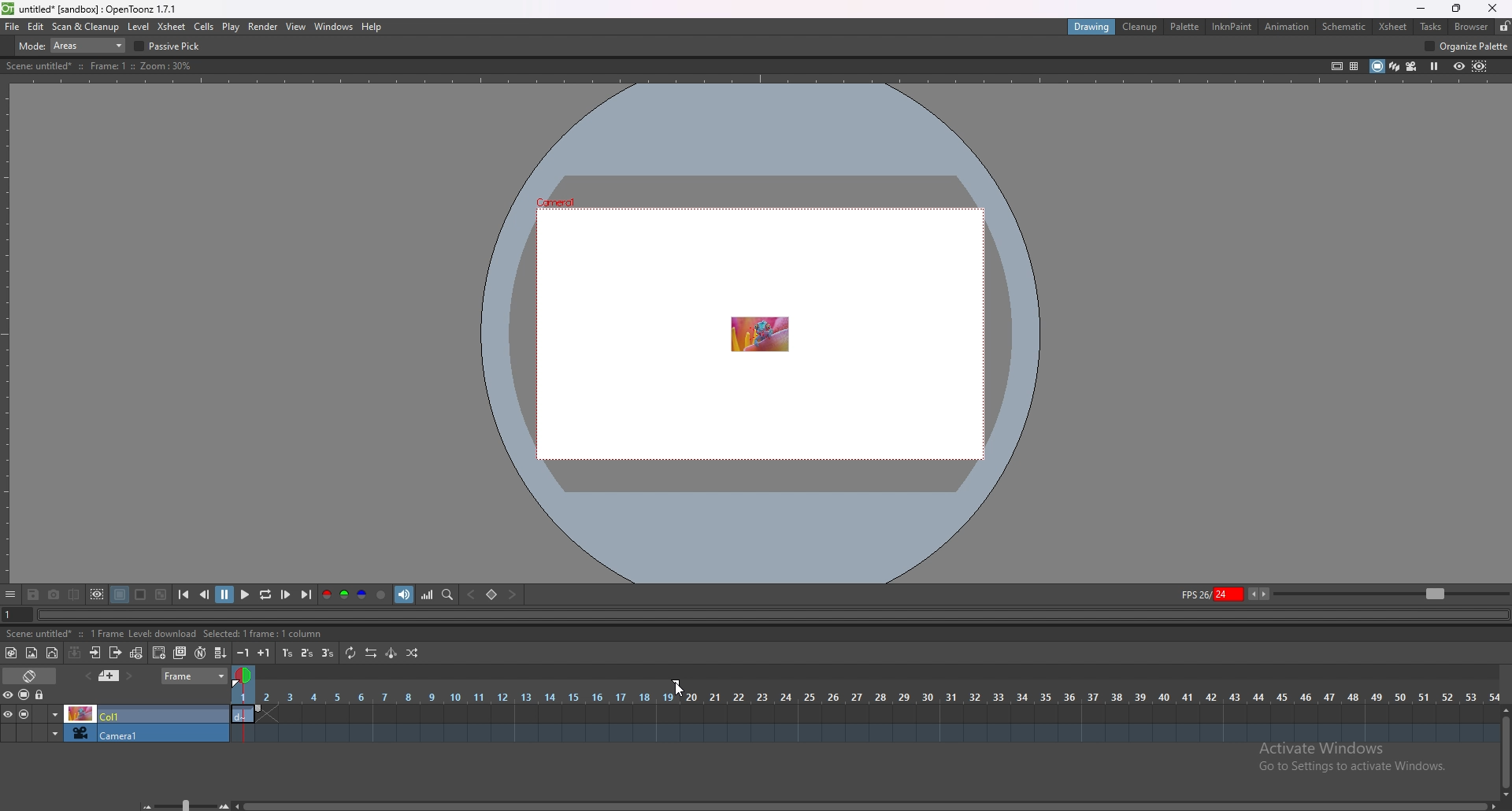 The image size is (1512, 811). What do you see at coordinates (109, 676) in the screenshot?
I see `previous memo` at bounding box center [109, 676].